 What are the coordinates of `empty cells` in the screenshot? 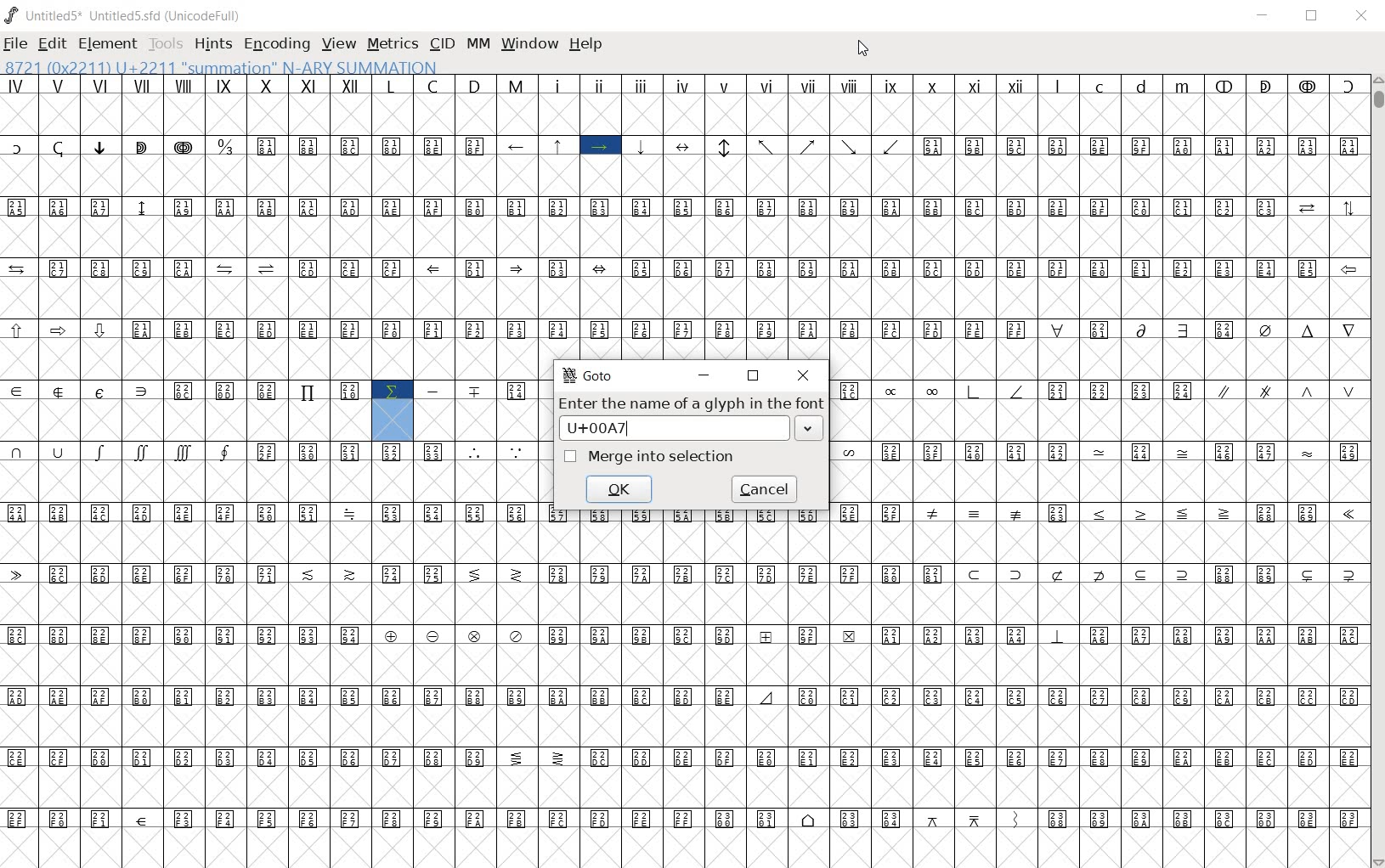 It's located at (1097, 359).